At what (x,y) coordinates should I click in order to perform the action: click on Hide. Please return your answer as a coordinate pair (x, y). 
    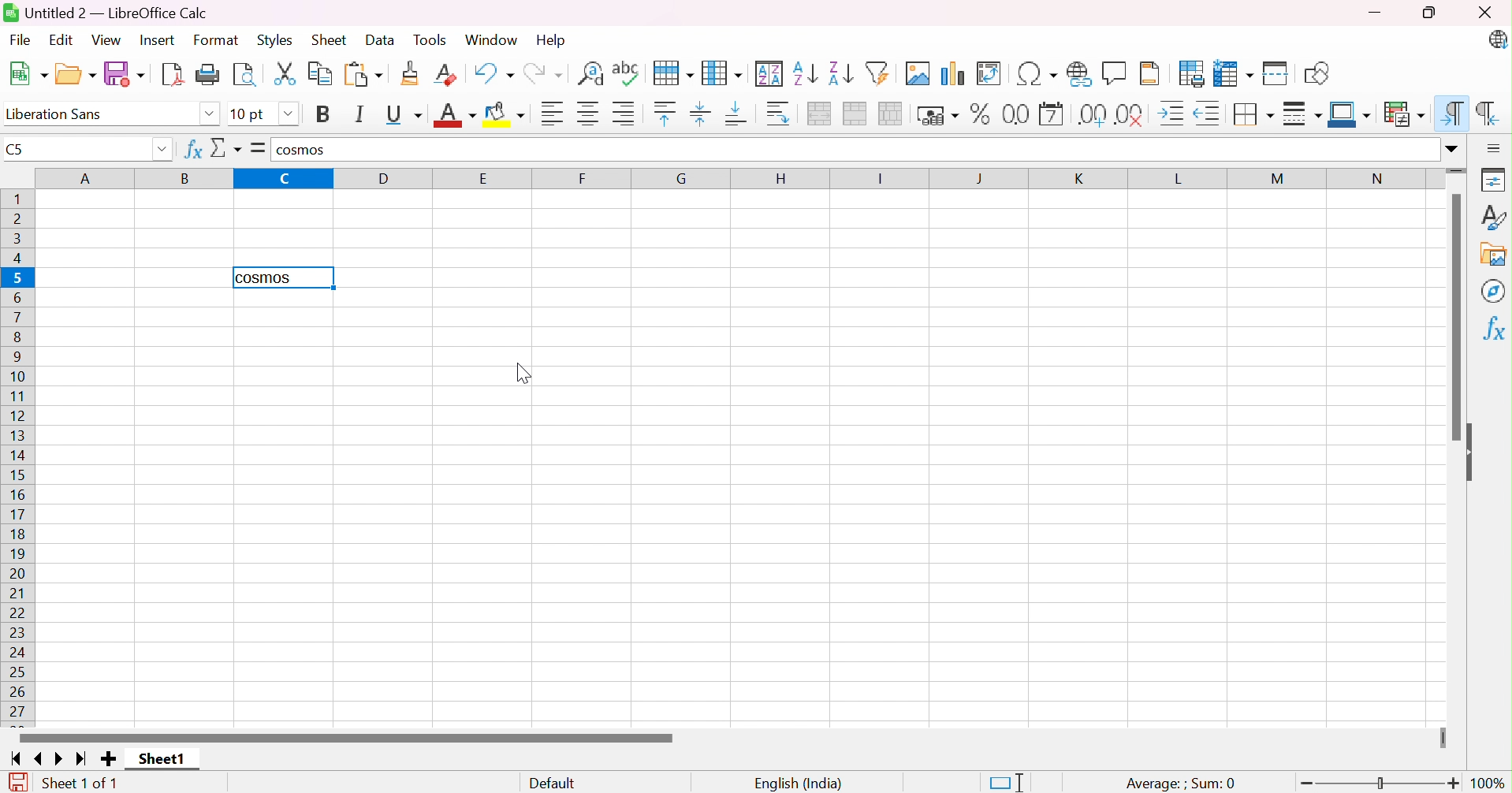
    Looking at the image, I should click on (1475, 451).